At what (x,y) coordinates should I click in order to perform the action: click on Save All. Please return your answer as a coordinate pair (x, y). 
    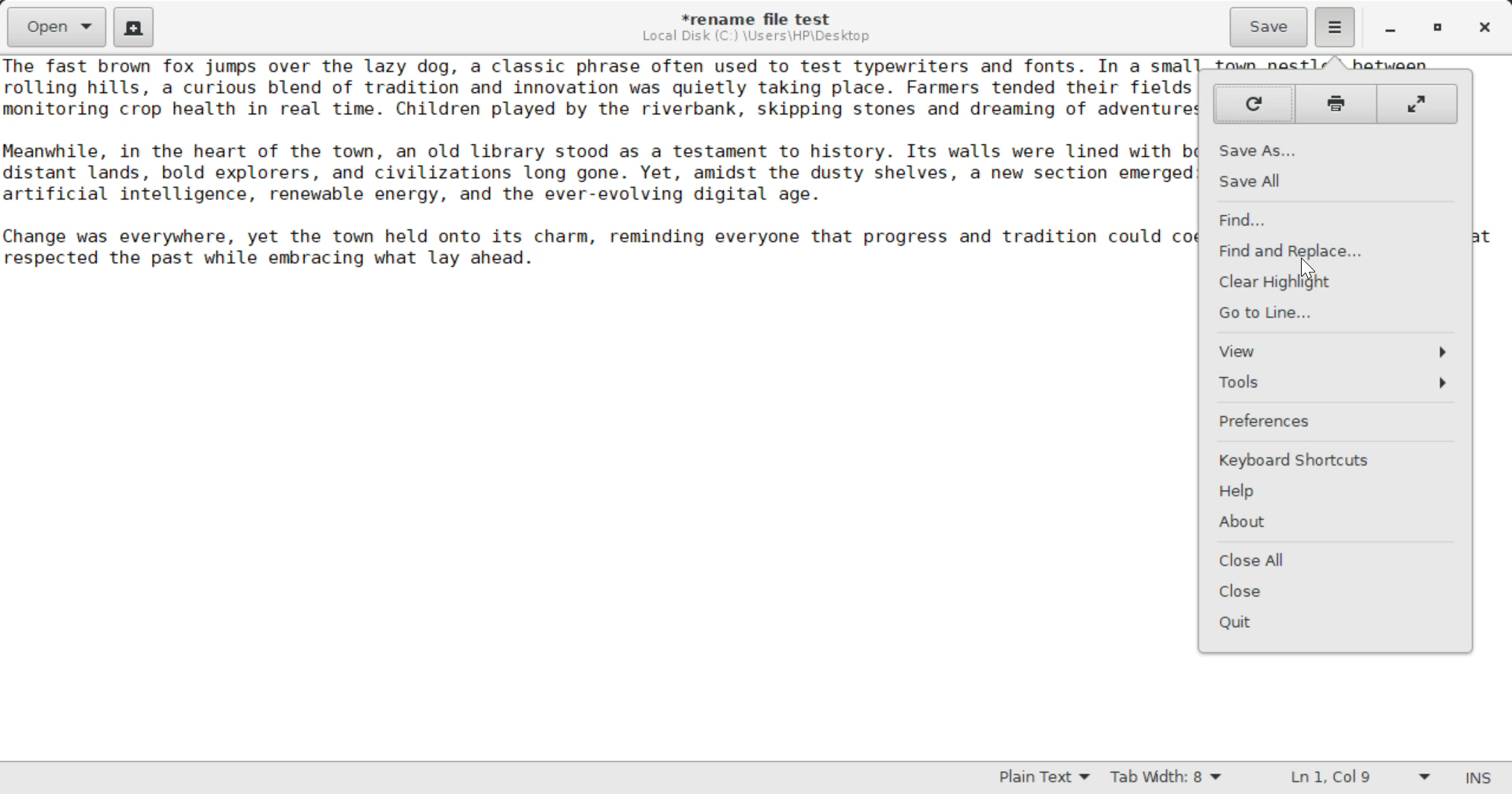
    Looking at the image, I should click on (1332, 185).